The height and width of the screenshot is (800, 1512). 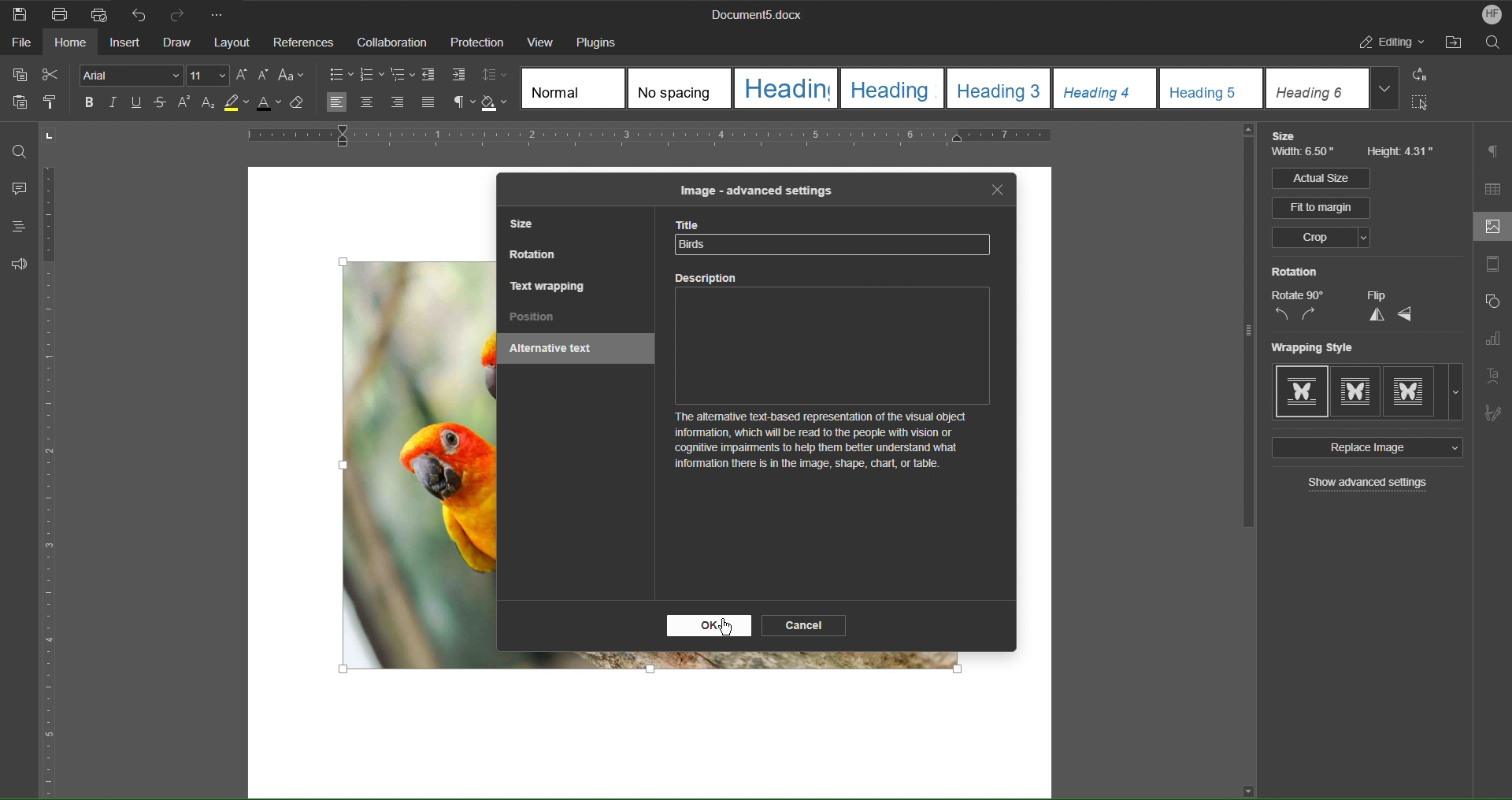 I want to click on Fit to margin, so click(x=1322, y=208).